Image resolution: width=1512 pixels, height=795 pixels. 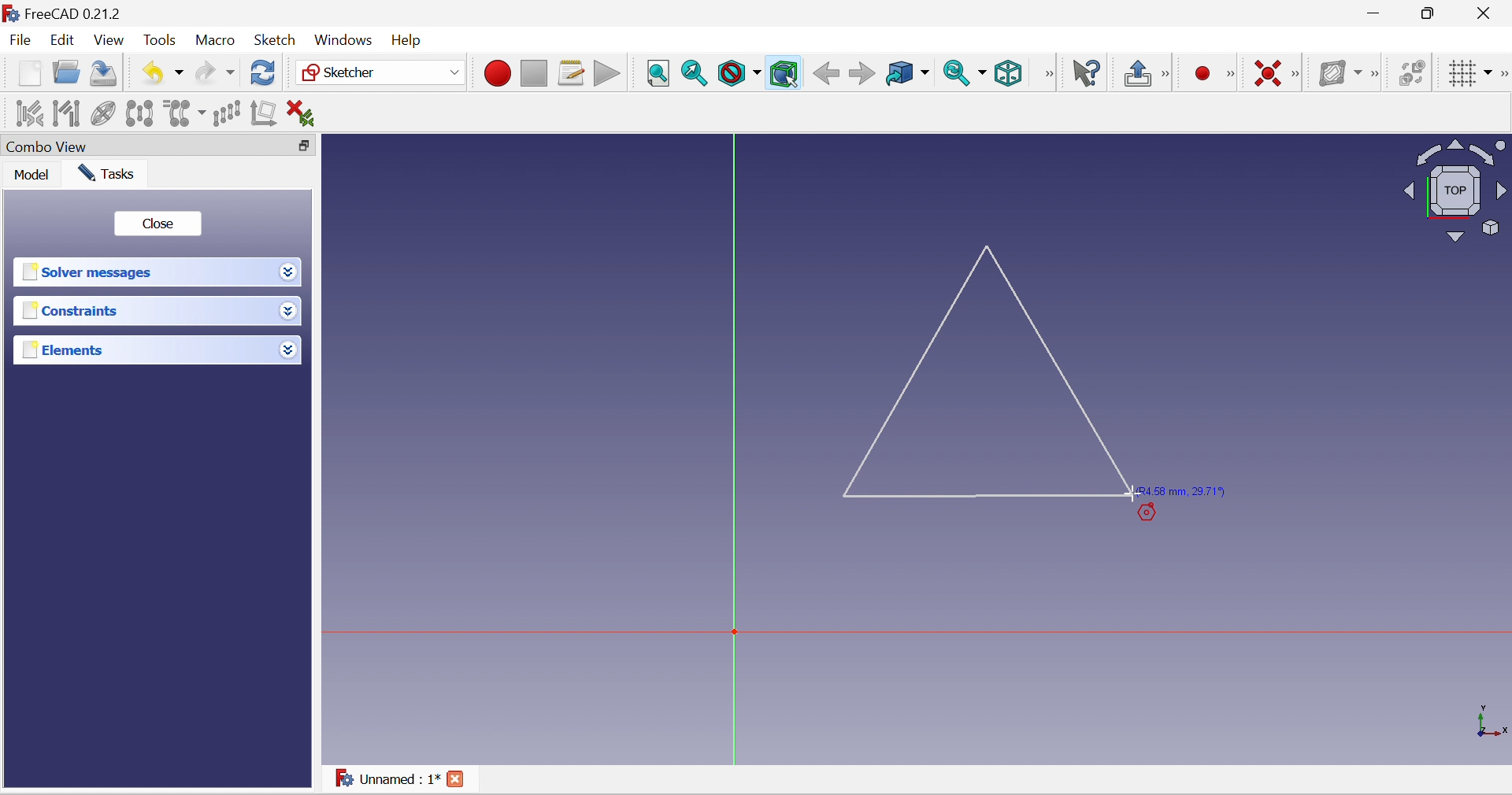 What do you see at coordinates (1340, 74) in the screenshot?
I see `Show/hide B-spline information layer` at bounding box center [1340, 74].